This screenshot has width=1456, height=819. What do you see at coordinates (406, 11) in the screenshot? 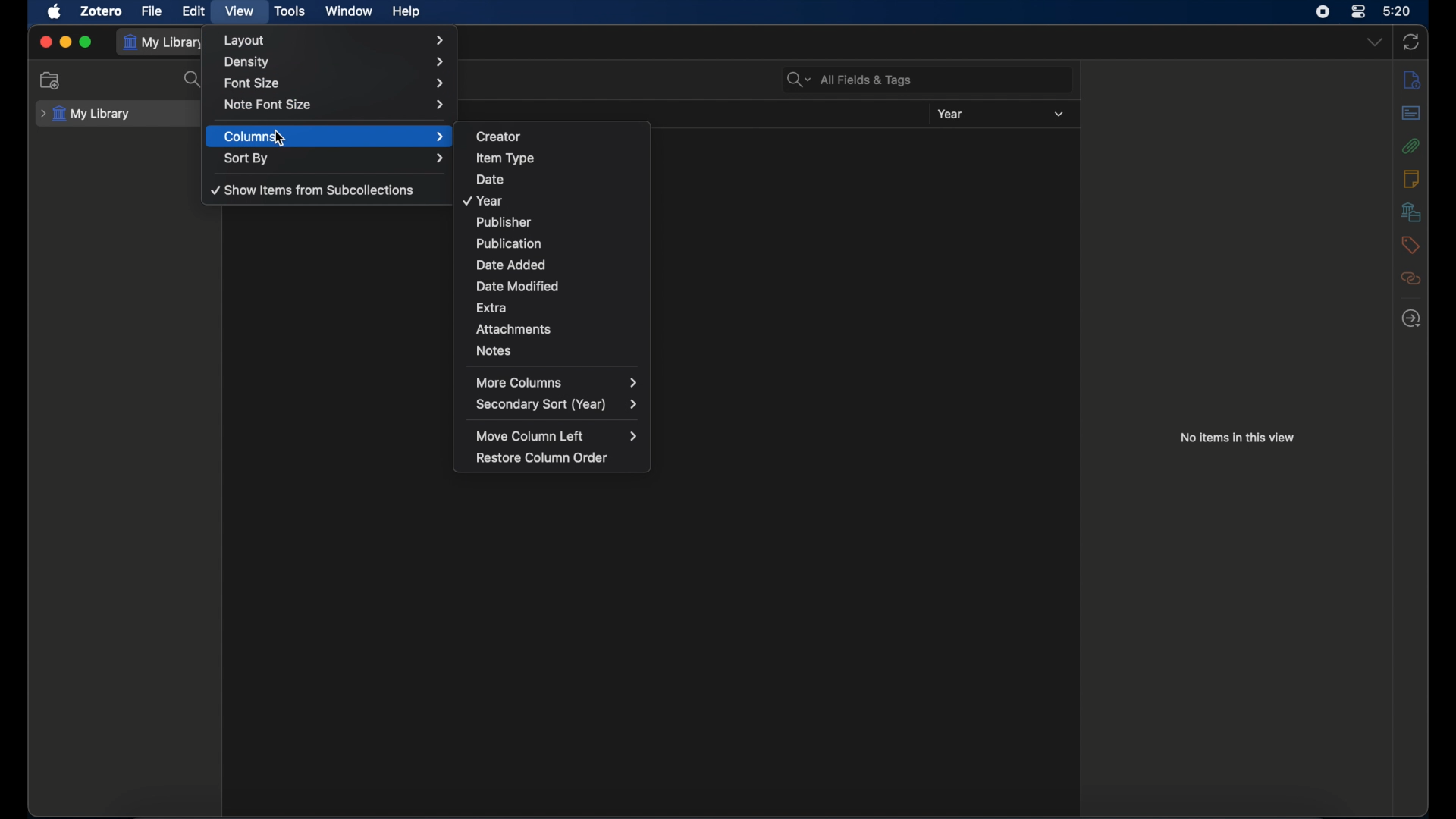
I see `help` at bounding box center [406, 11].